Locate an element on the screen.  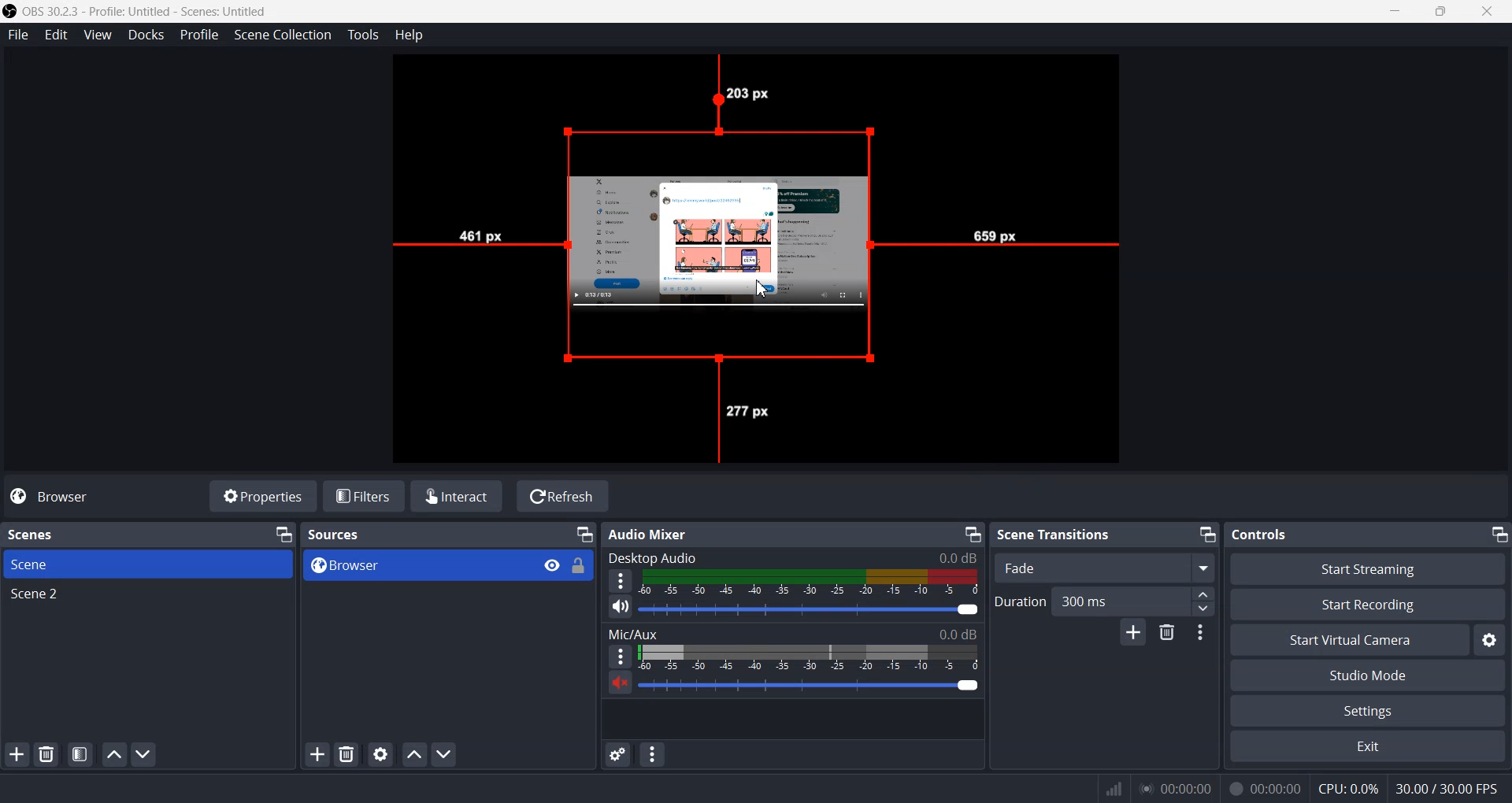
Start virtual Camera is located at coordinates (1349, 639).